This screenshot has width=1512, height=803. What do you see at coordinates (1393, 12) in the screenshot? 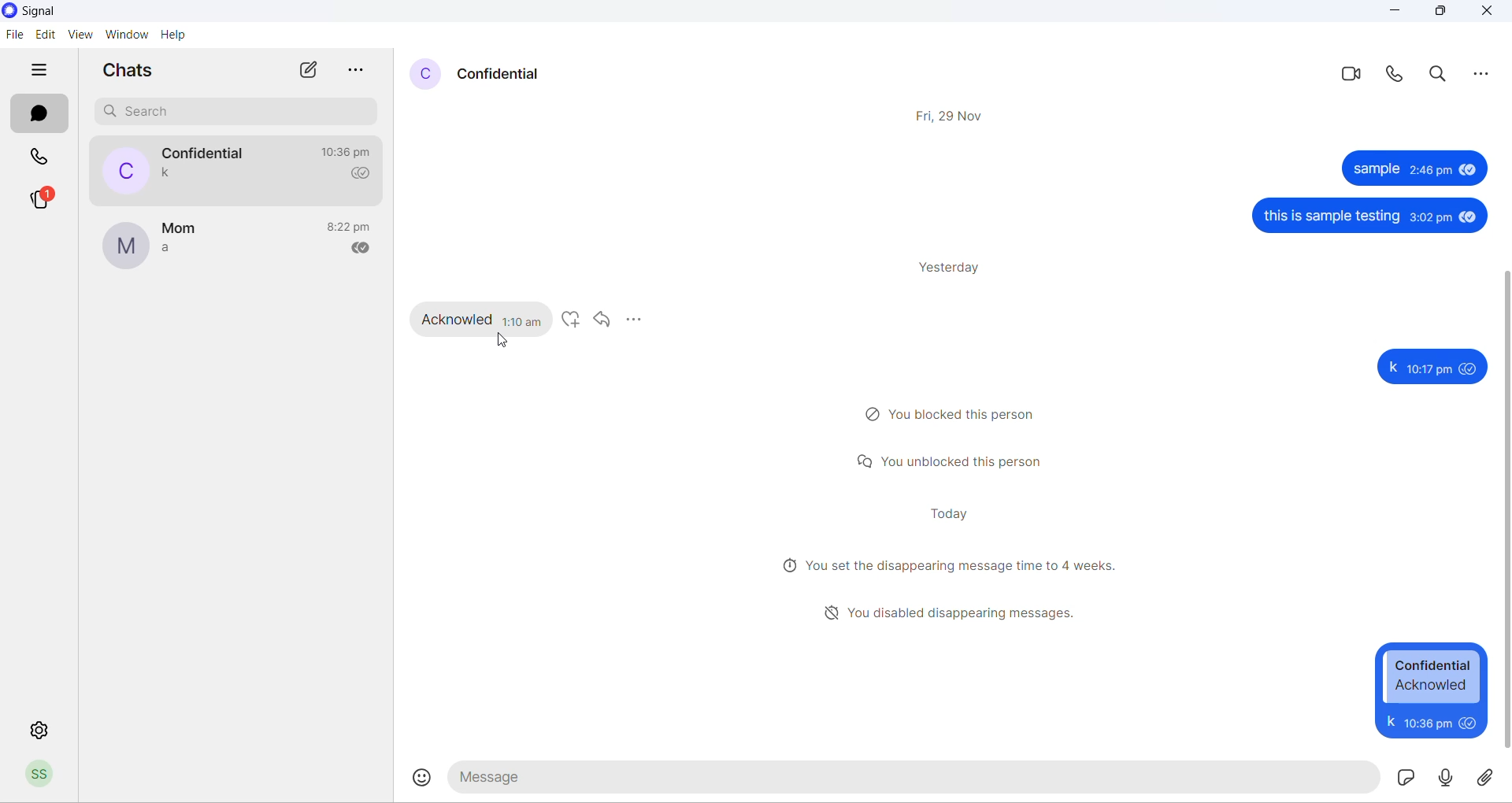
I see `minimize` at bounding box center [1393, 12].